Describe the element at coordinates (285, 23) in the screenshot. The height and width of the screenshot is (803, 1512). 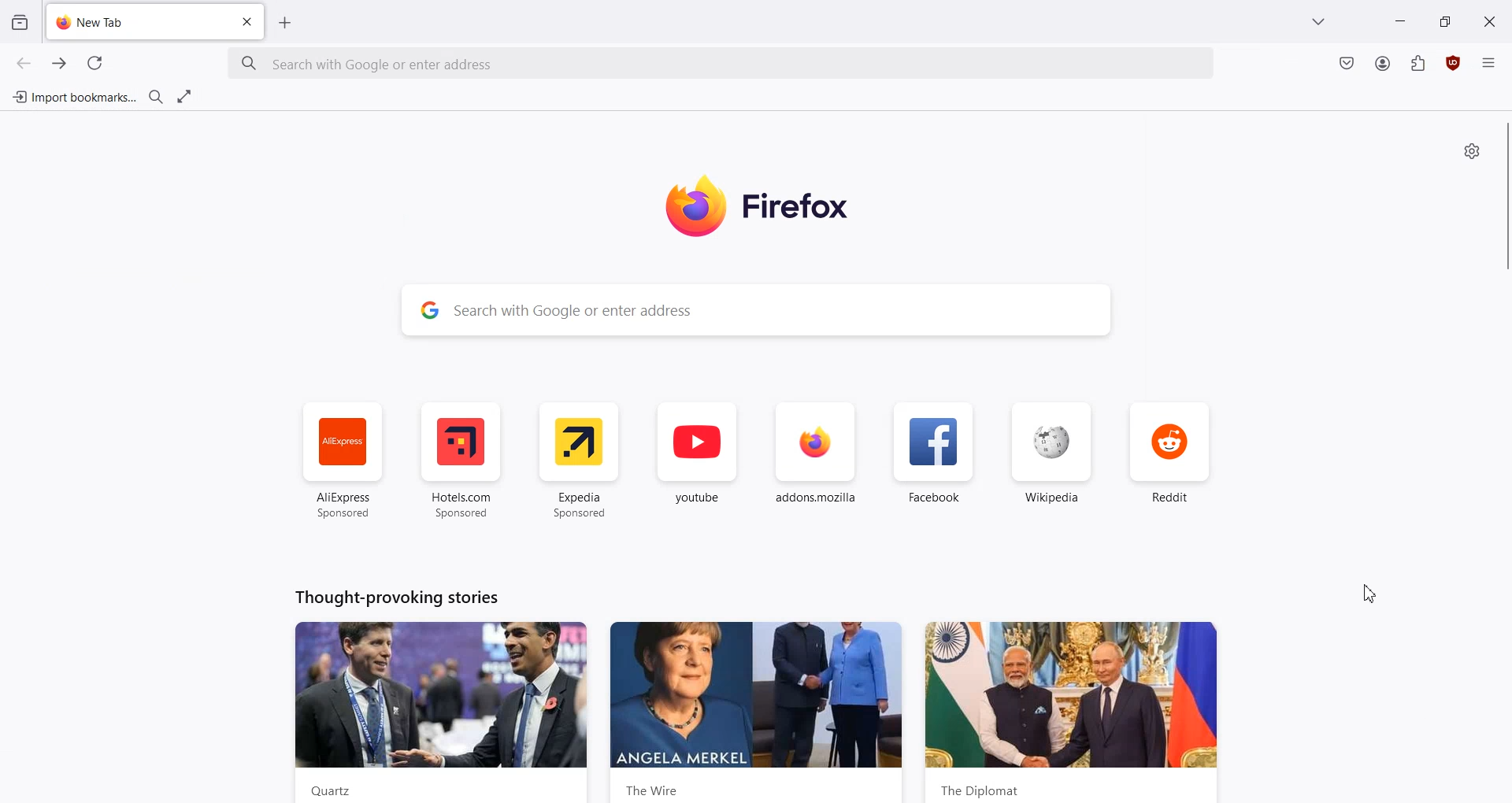
I see `Add New tab` at that location.